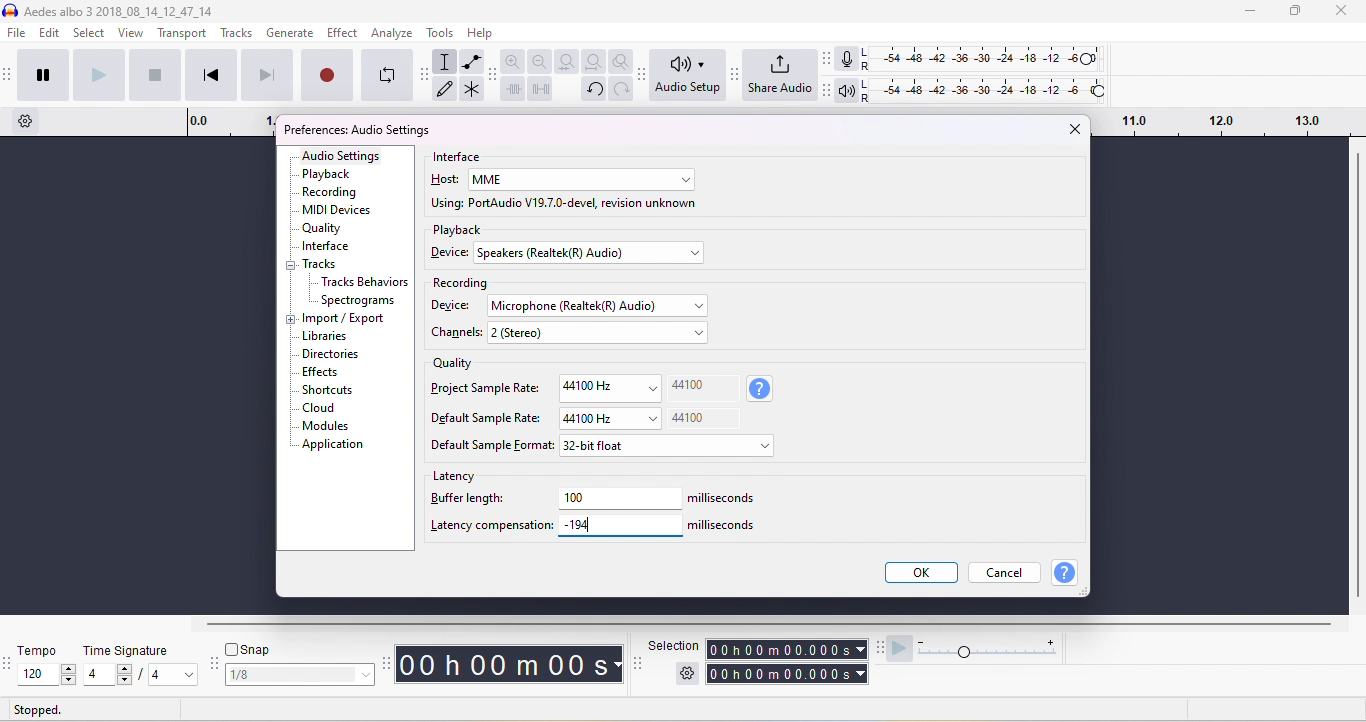 This screenshot has height=722, width=1366. Describe the element at coordinates (594, 89) in the screenshot. I see `undo` at that location.